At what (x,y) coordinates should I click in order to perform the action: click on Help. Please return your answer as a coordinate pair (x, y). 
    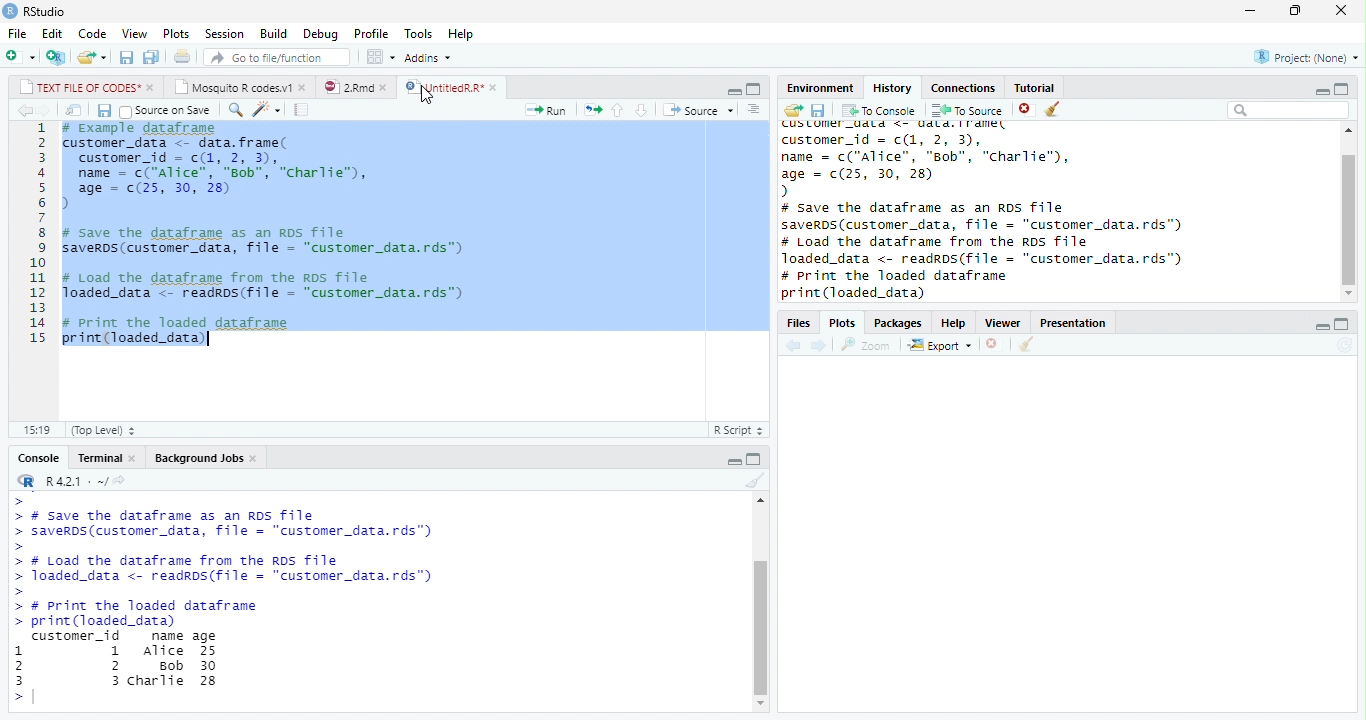
    Looking at the image, I should click on (462, 34).